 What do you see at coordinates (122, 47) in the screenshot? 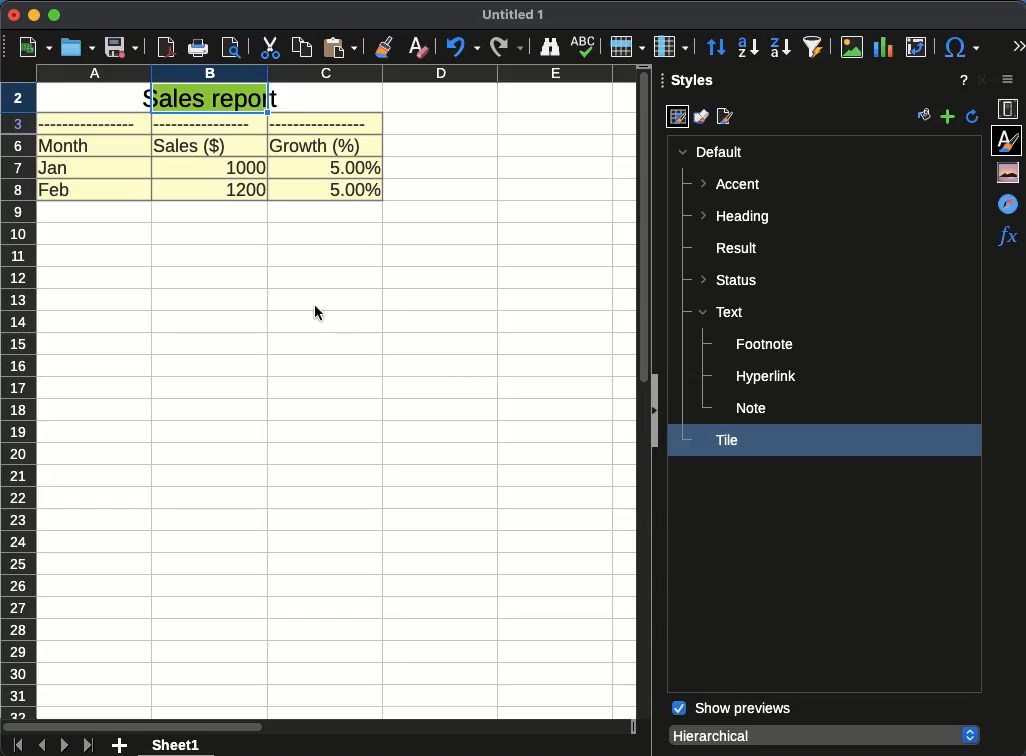
I see `save` at bounding box center [122, 47].